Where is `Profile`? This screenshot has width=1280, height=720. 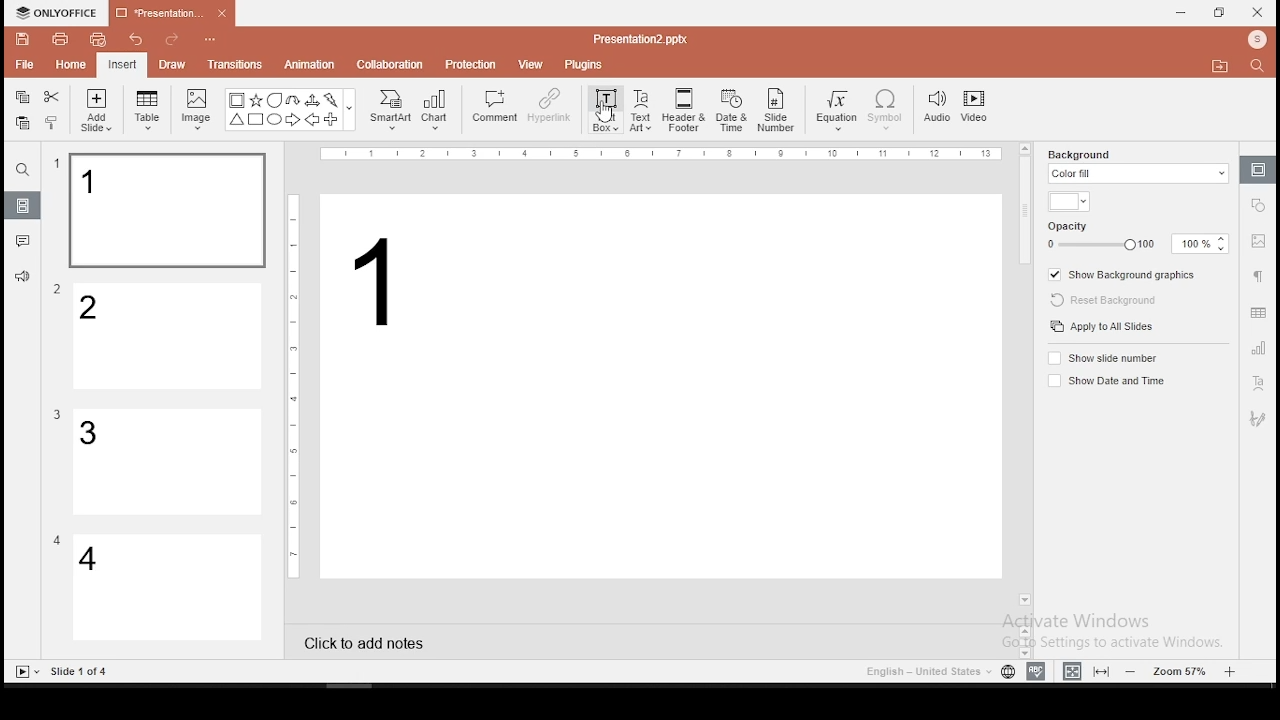
Profile is located at coordinates (1259, 40).